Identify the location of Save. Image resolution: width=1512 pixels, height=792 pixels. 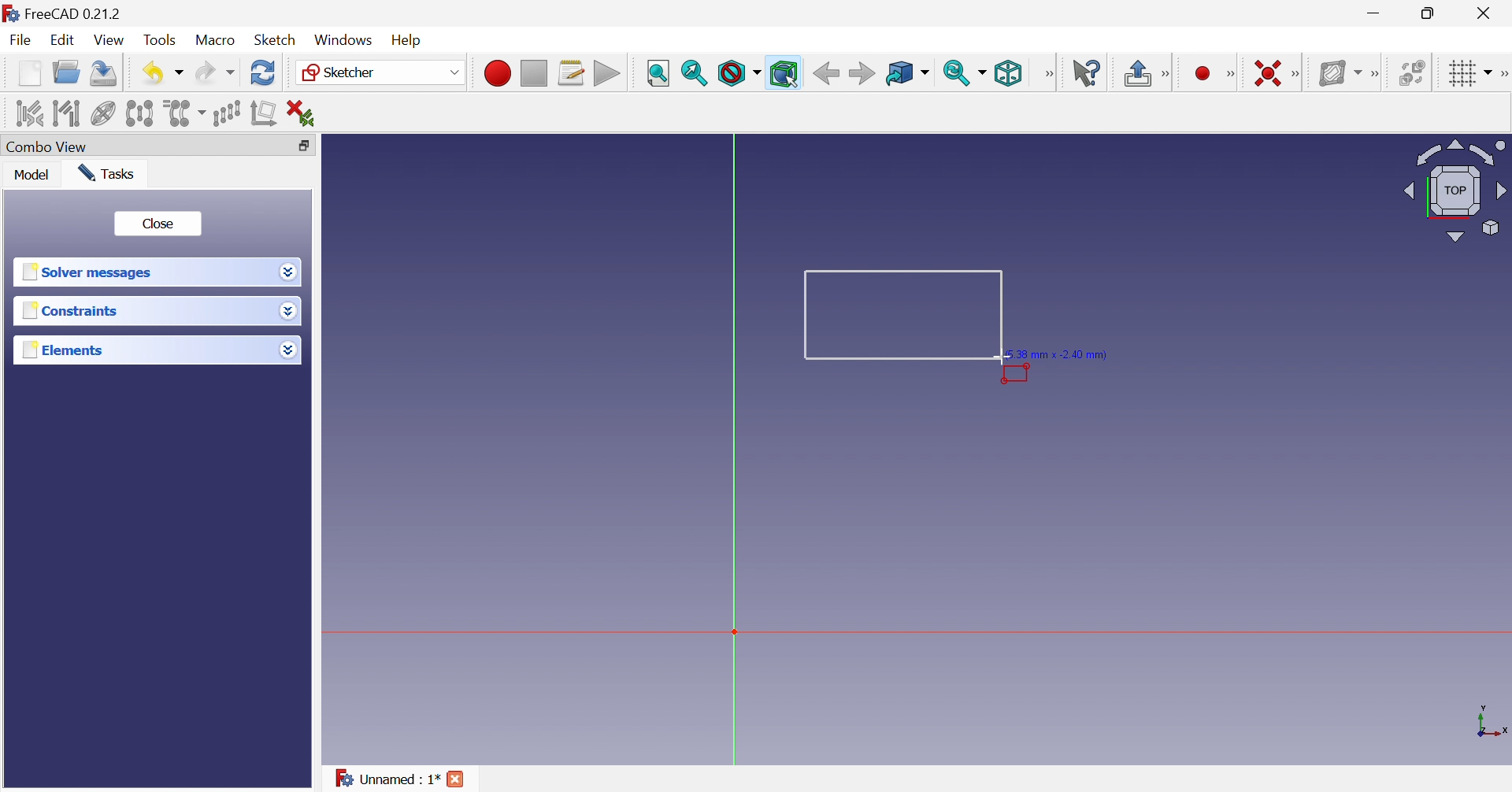
(161, 73).